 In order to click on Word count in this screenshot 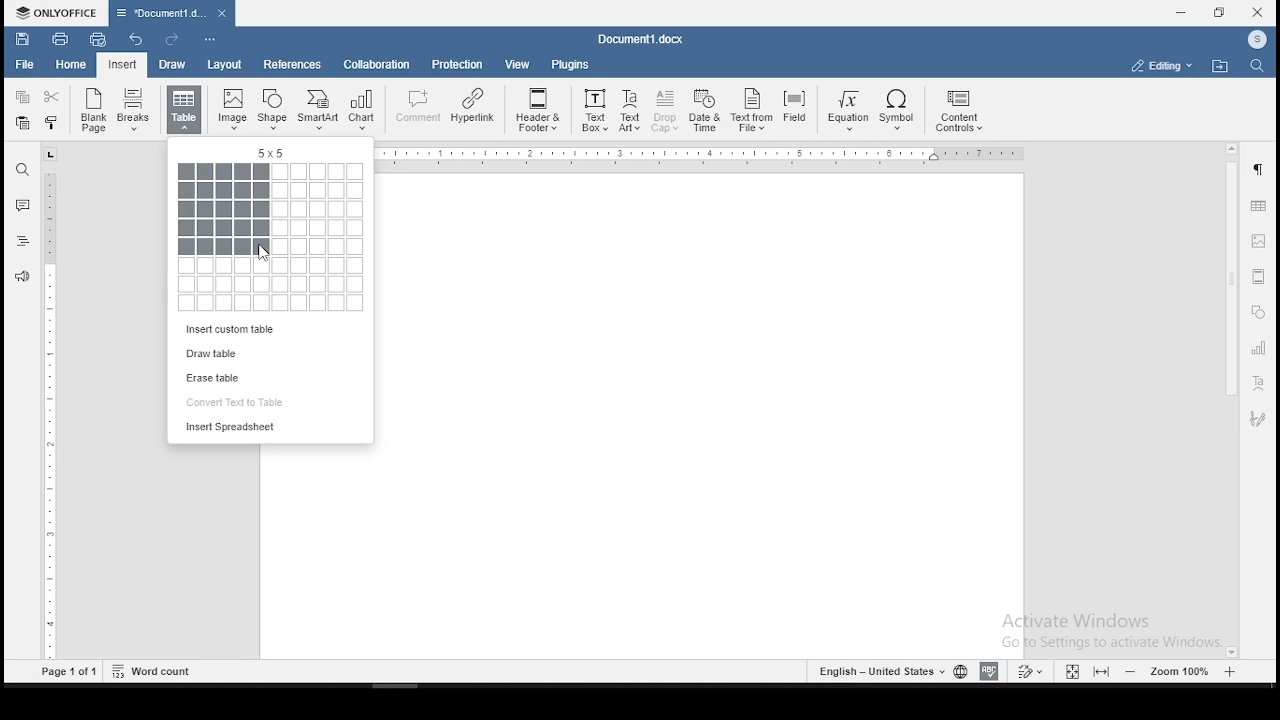, I will do `click(152, 671)`.